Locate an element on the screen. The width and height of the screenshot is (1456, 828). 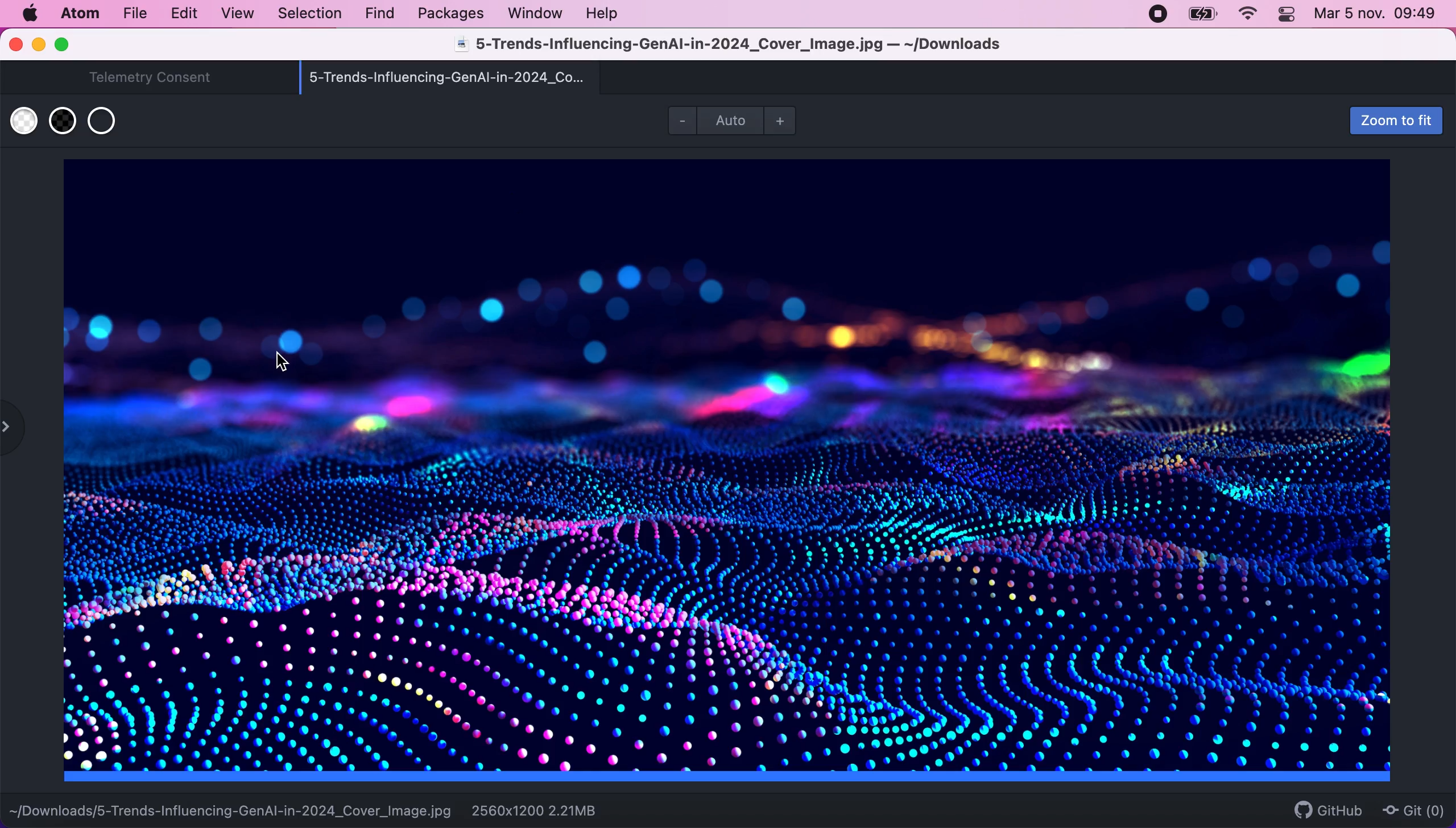
edit is located at coordinates (184, 13).